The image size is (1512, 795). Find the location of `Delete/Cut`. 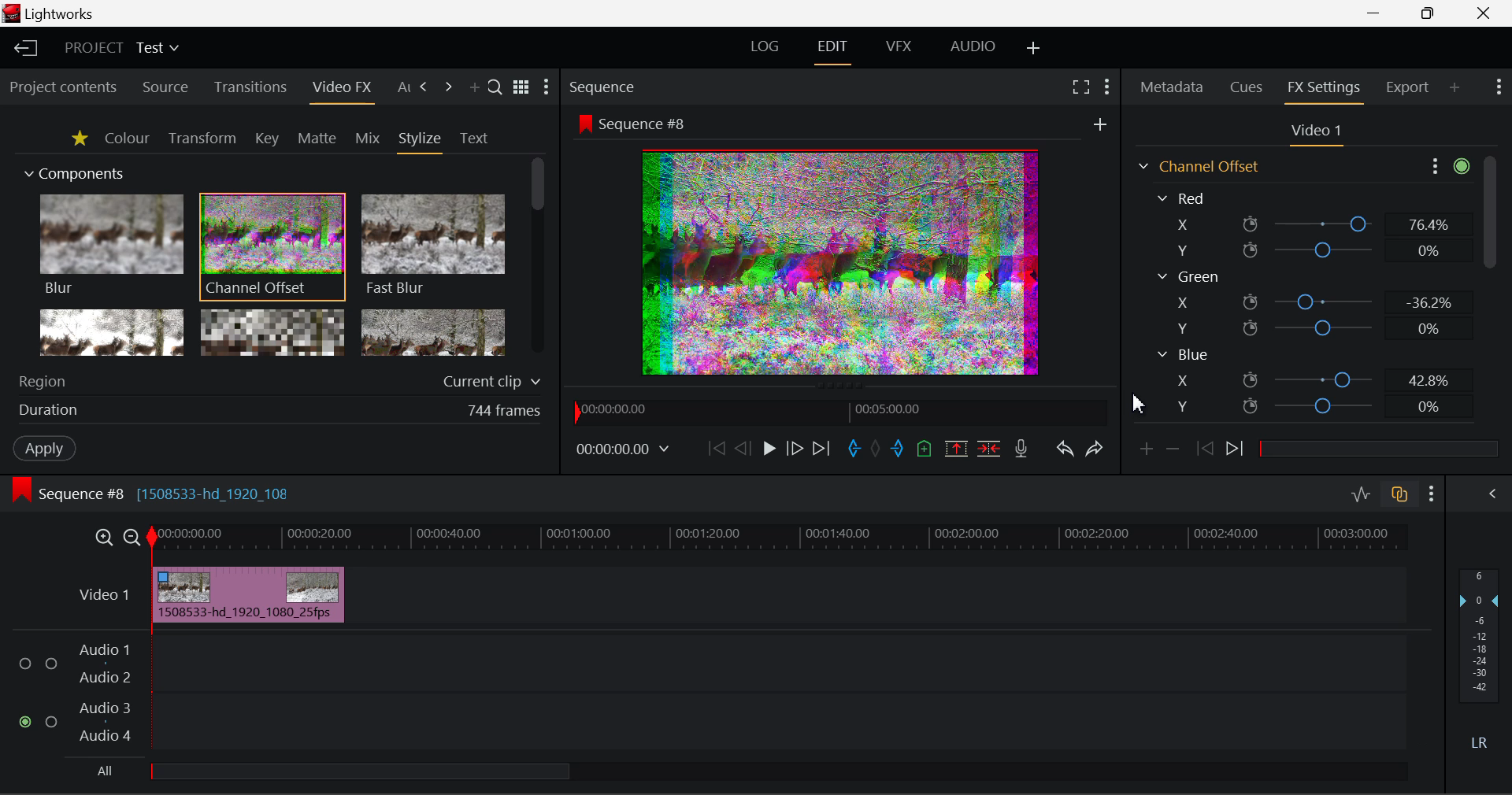

Delete/Cut is located at coordinates (991, 449).